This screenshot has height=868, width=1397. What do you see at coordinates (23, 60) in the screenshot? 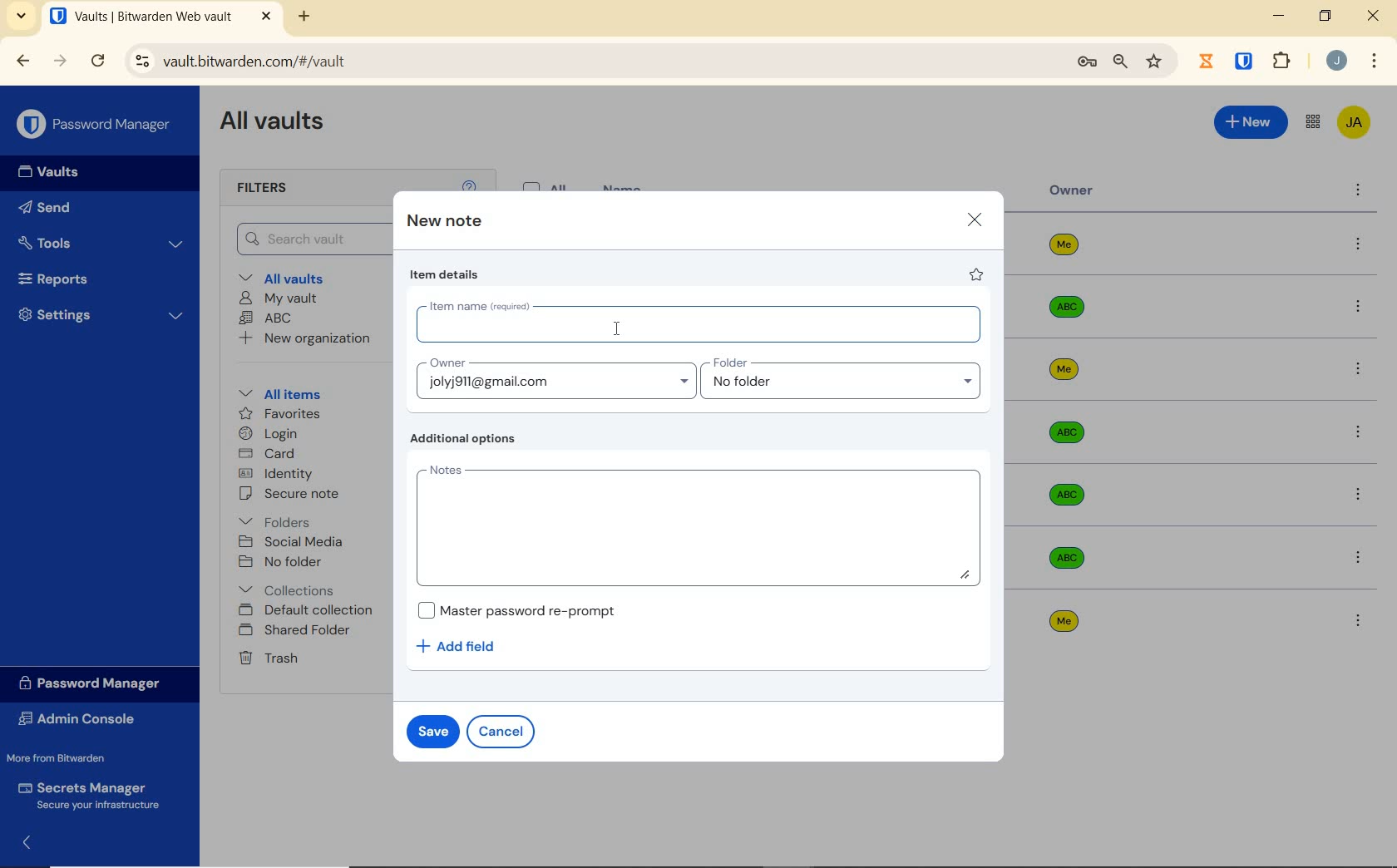
I see `BACK` at bounding box center [23, 60].